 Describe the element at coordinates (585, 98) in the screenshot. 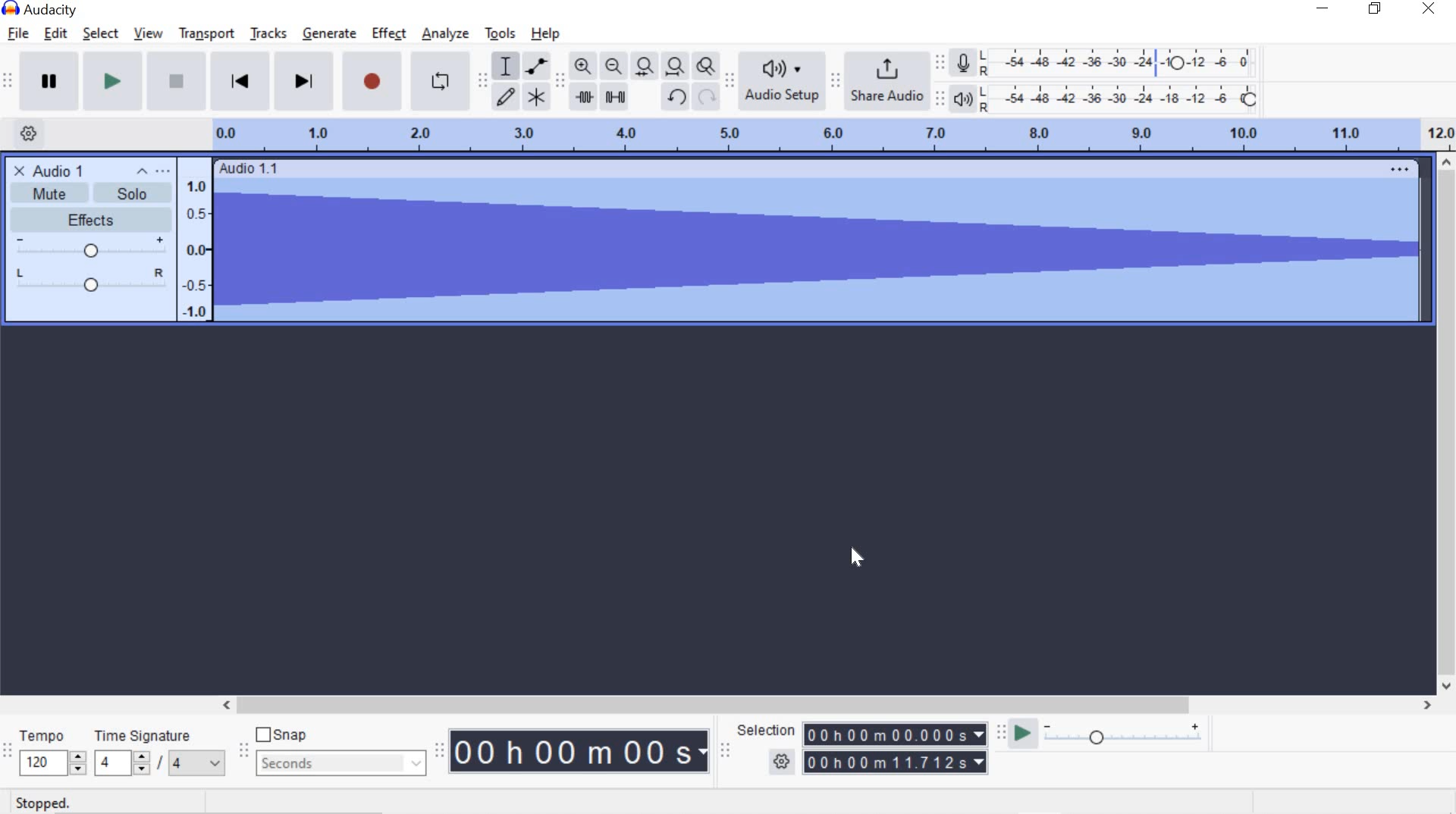

I see `time audio outside selection` at that location.